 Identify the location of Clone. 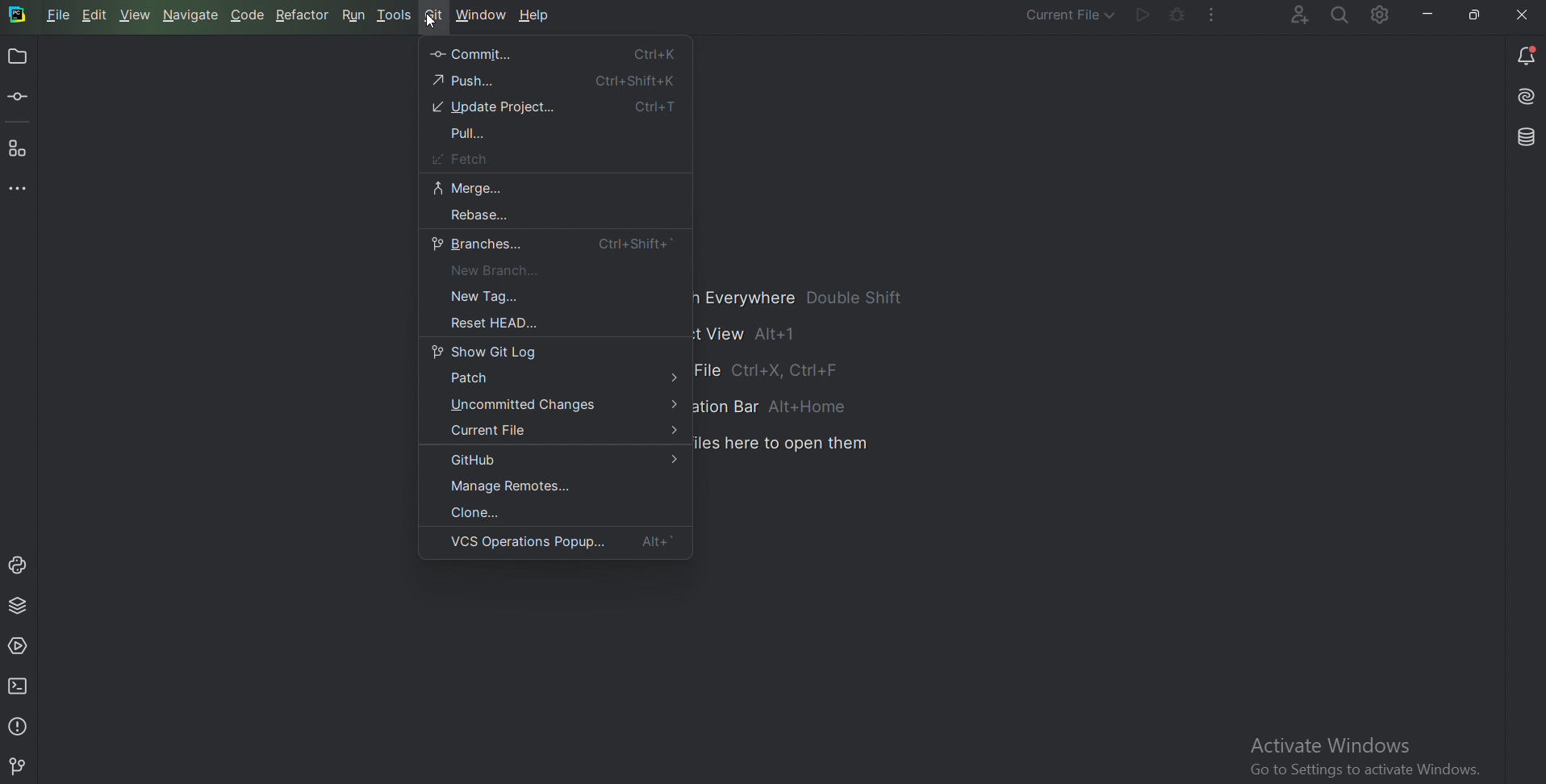
(481, 512).